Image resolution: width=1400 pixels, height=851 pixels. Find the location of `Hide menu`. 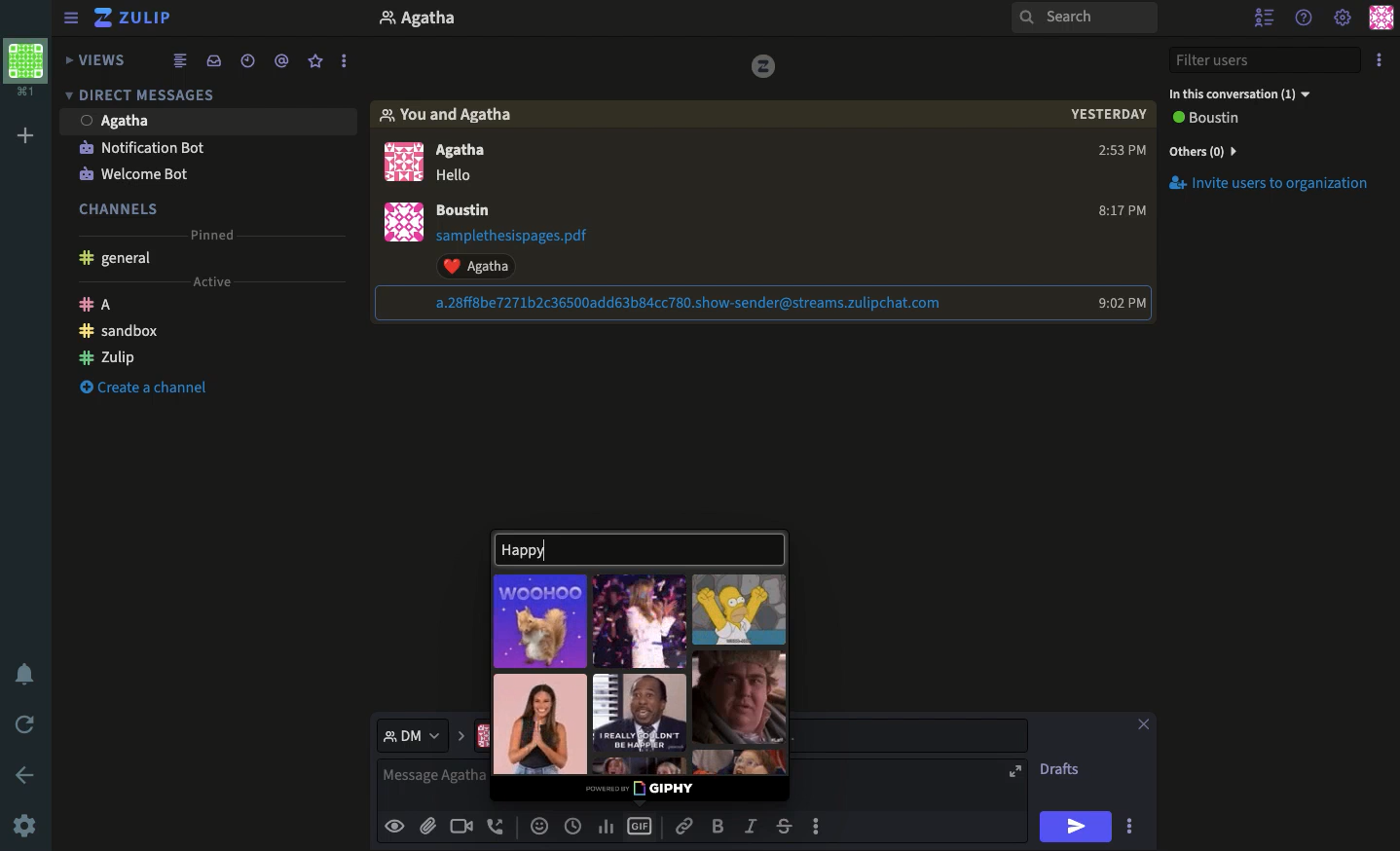

Hide menu is located at coordinates (71, 18).